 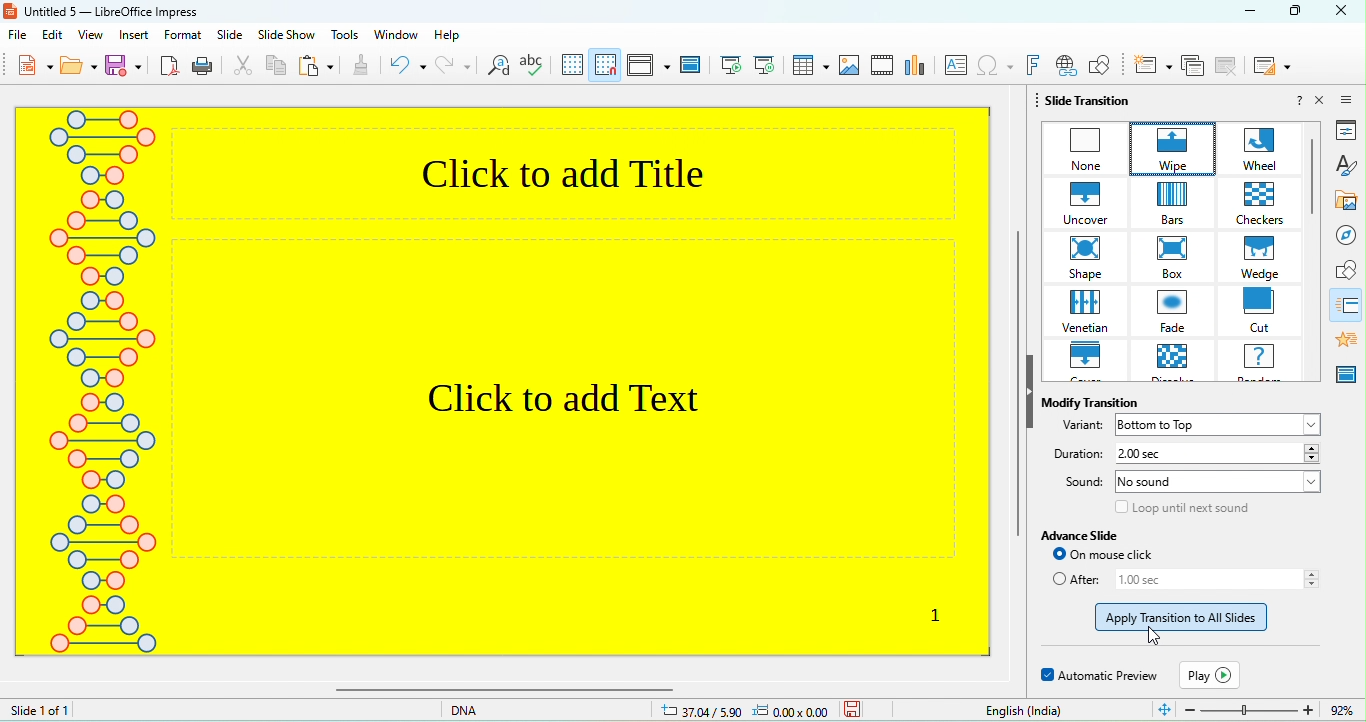 I want to click on duration, so click(x=1077, y=454).